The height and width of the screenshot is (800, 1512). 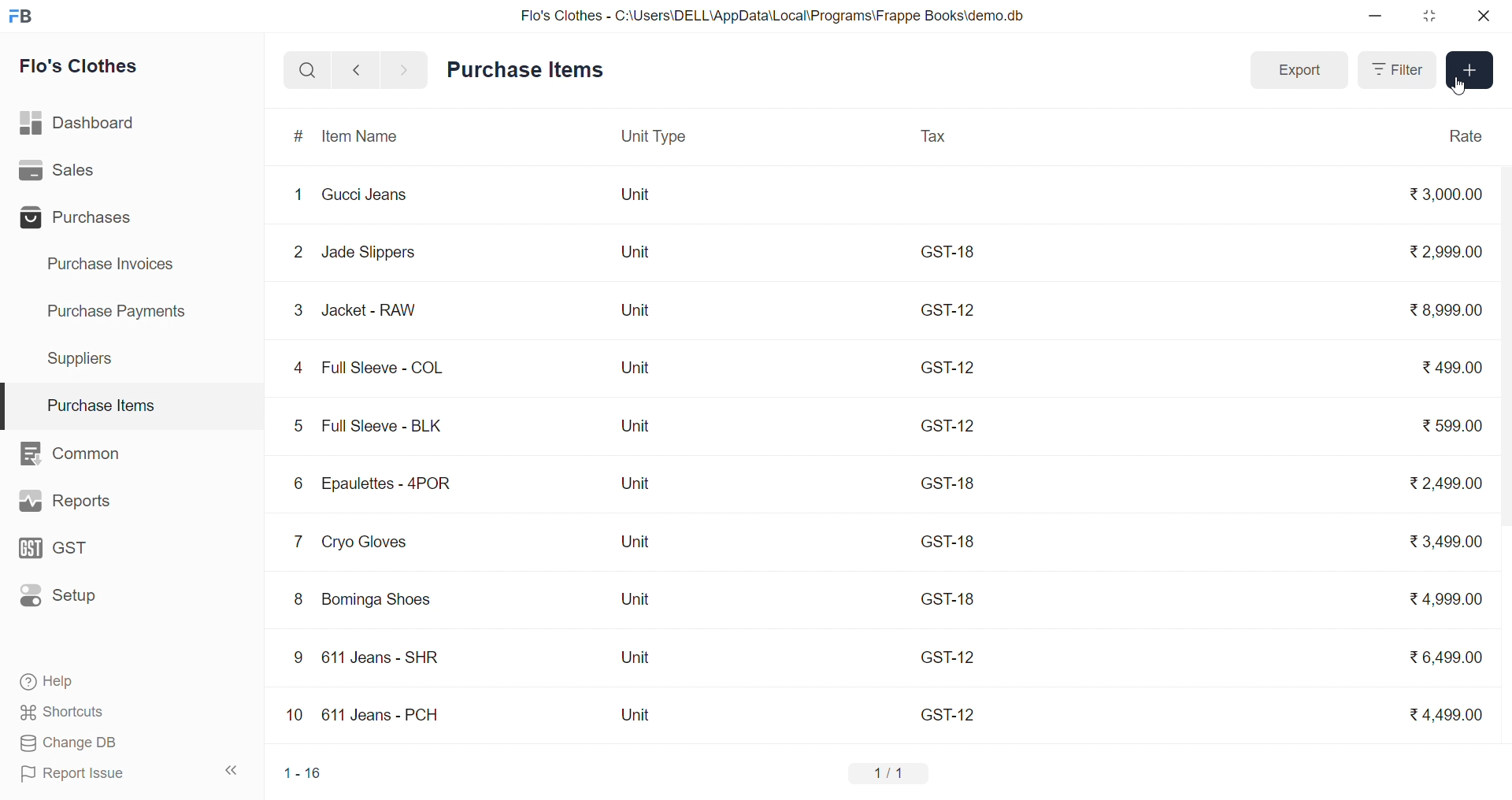 What do you see at coordinates (948, 545) in the screenshot?
I see `GST-18` at bounding box center [948, 545].